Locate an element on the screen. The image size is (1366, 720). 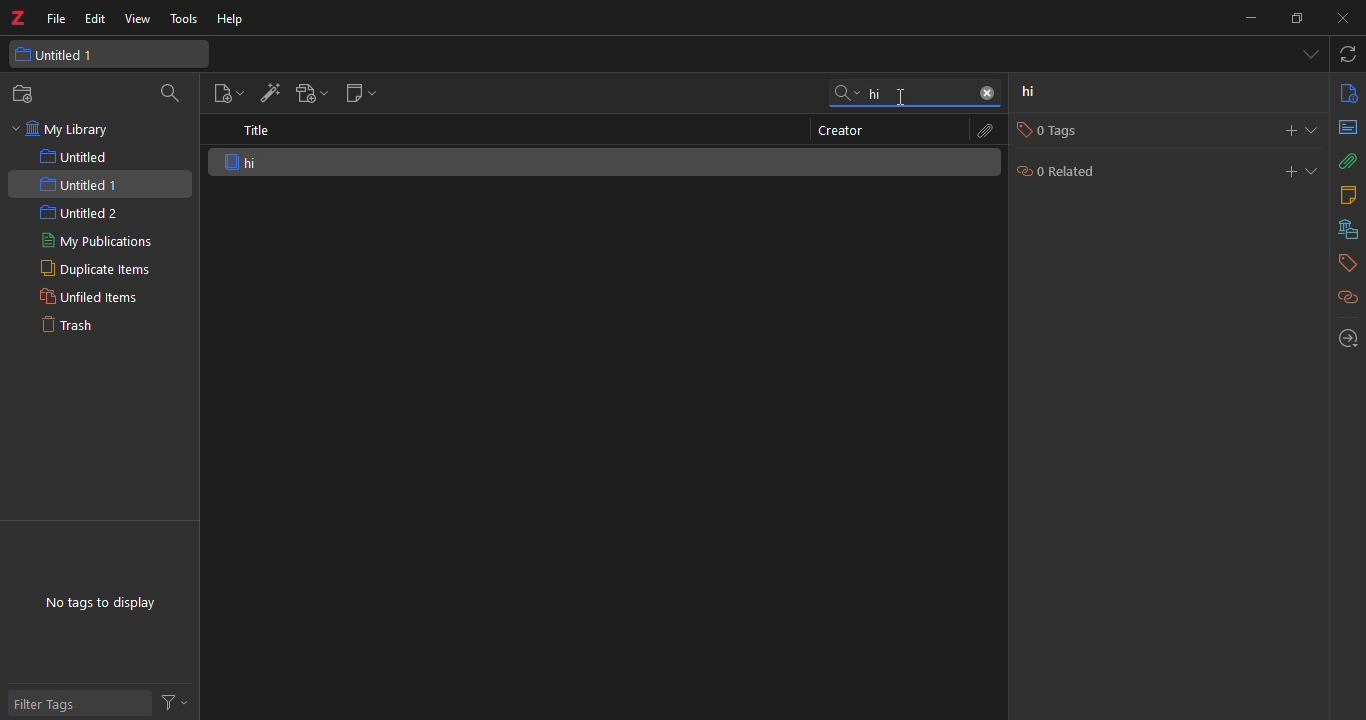
duplicate items is located at coordinates (91, 268).